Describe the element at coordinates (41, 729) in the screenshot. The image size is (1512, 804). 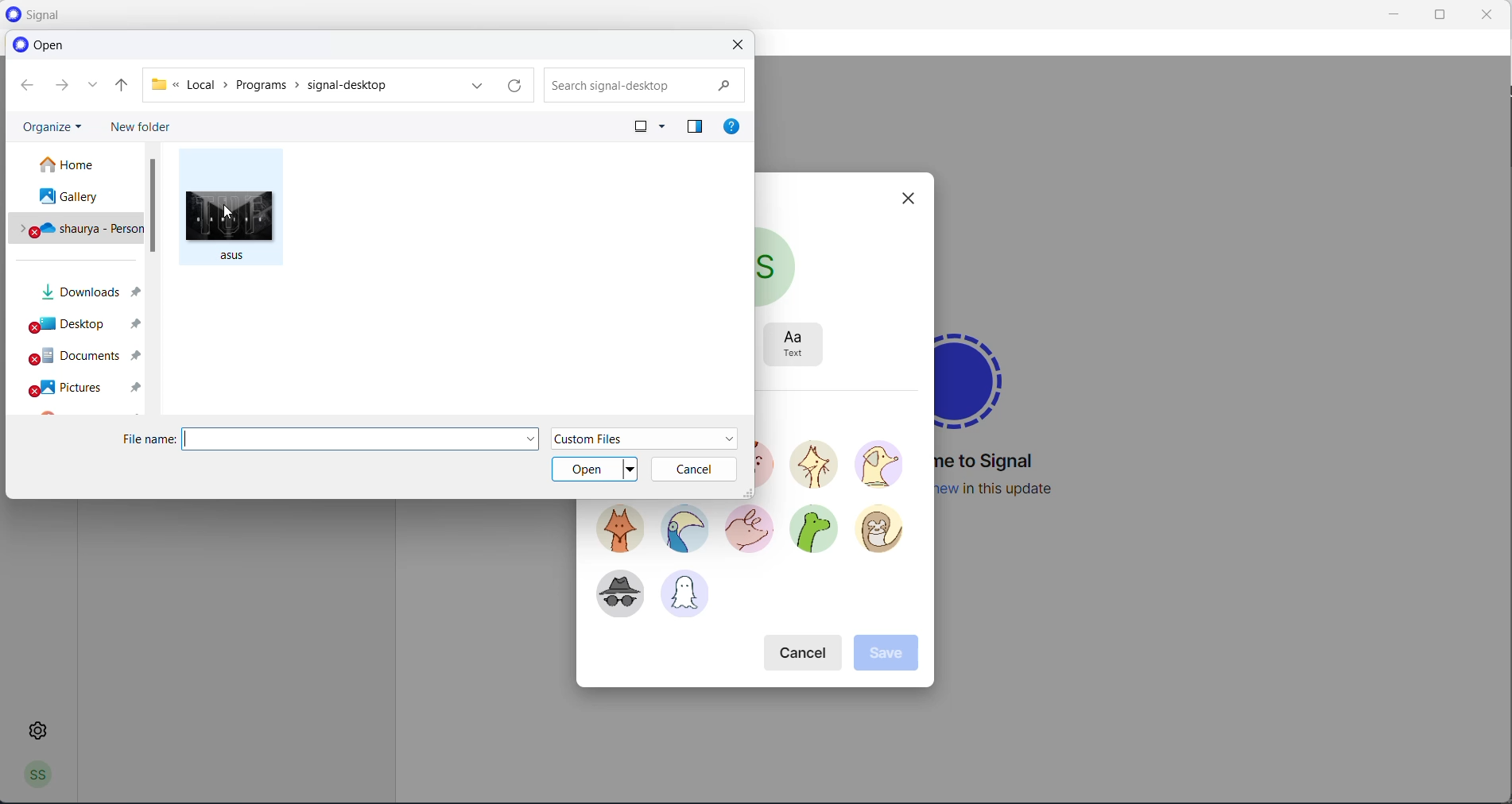
I see `settings` at that location.